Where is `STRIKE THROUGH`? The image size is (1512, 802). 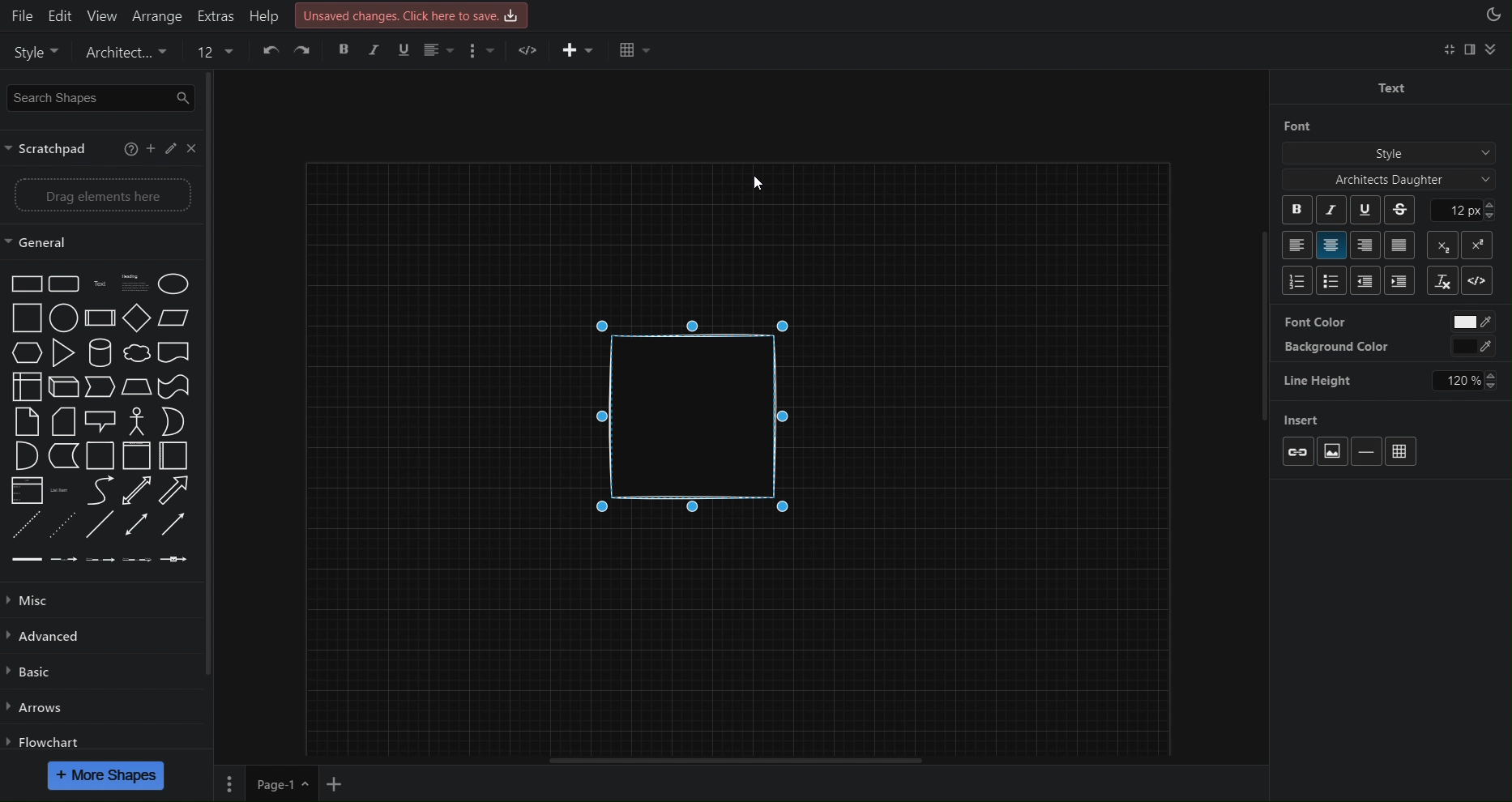 STRIKE THROUGH is located at coordinates (1399, 211).